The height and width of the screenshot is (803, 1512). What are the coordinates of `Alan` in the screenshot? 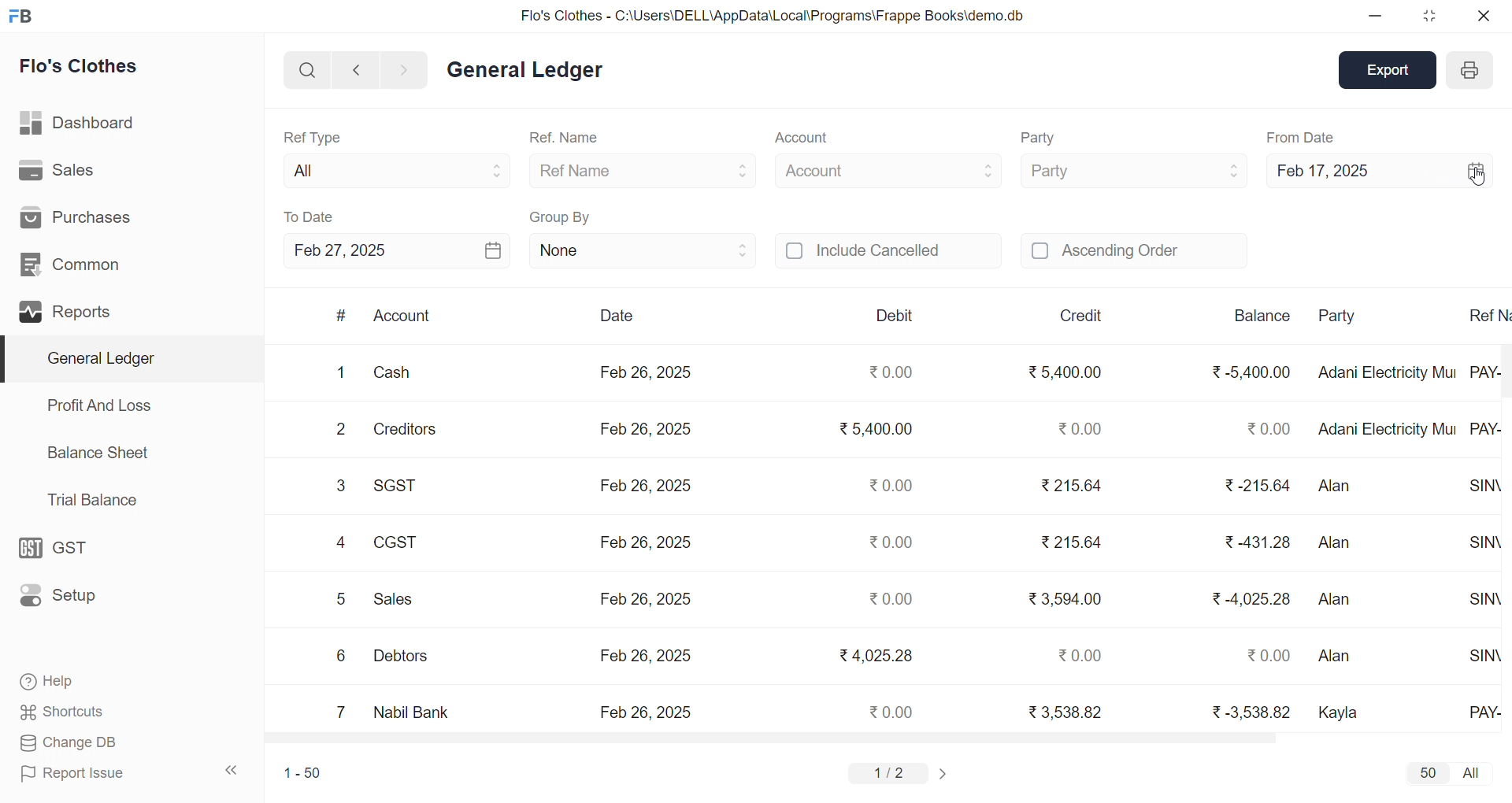 It's located at (1346, 658).